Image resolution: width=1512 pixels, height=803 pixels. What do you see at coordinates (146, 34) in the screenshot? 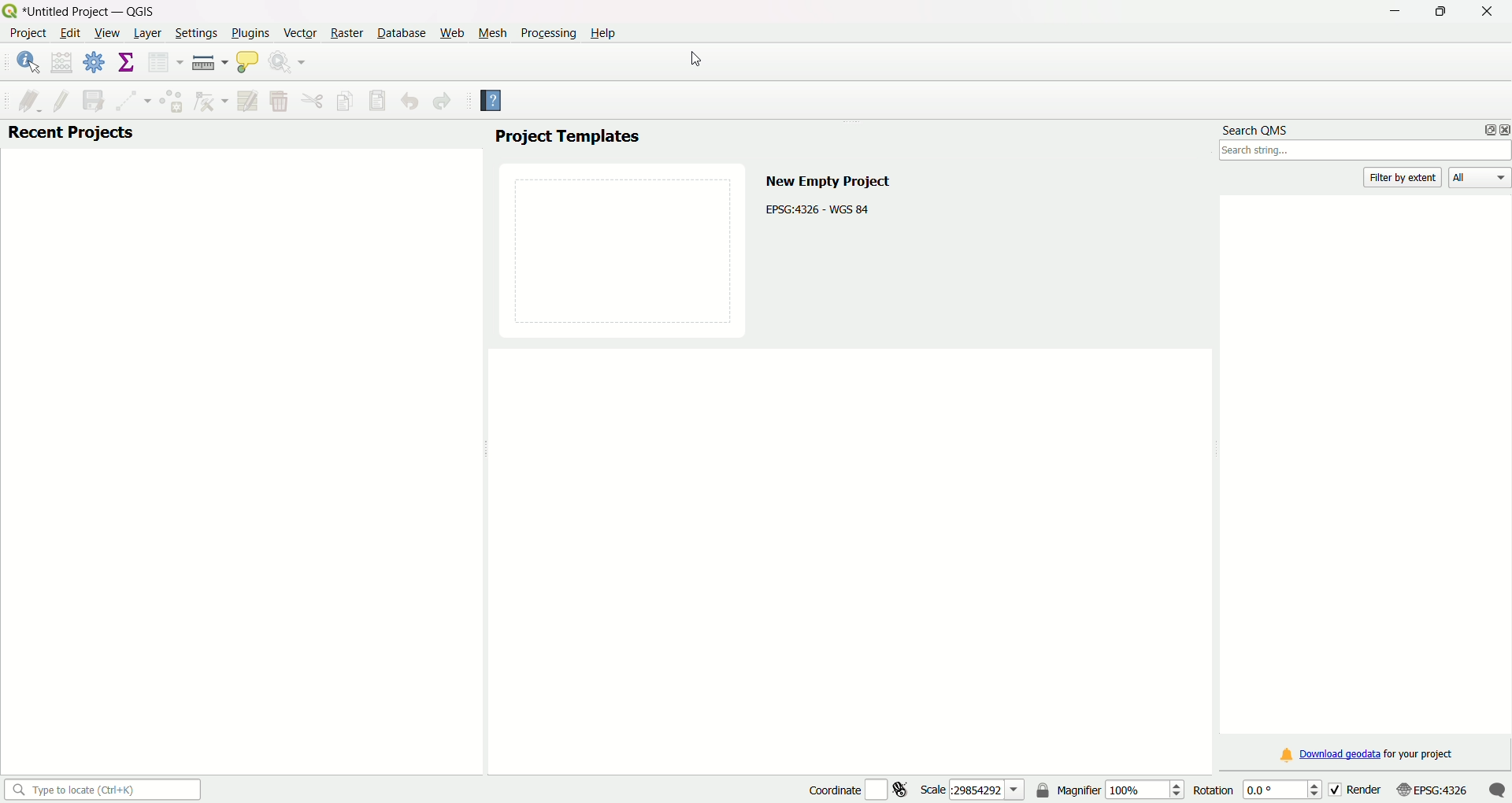
I see `Layer` at bounding box center [146, 34].